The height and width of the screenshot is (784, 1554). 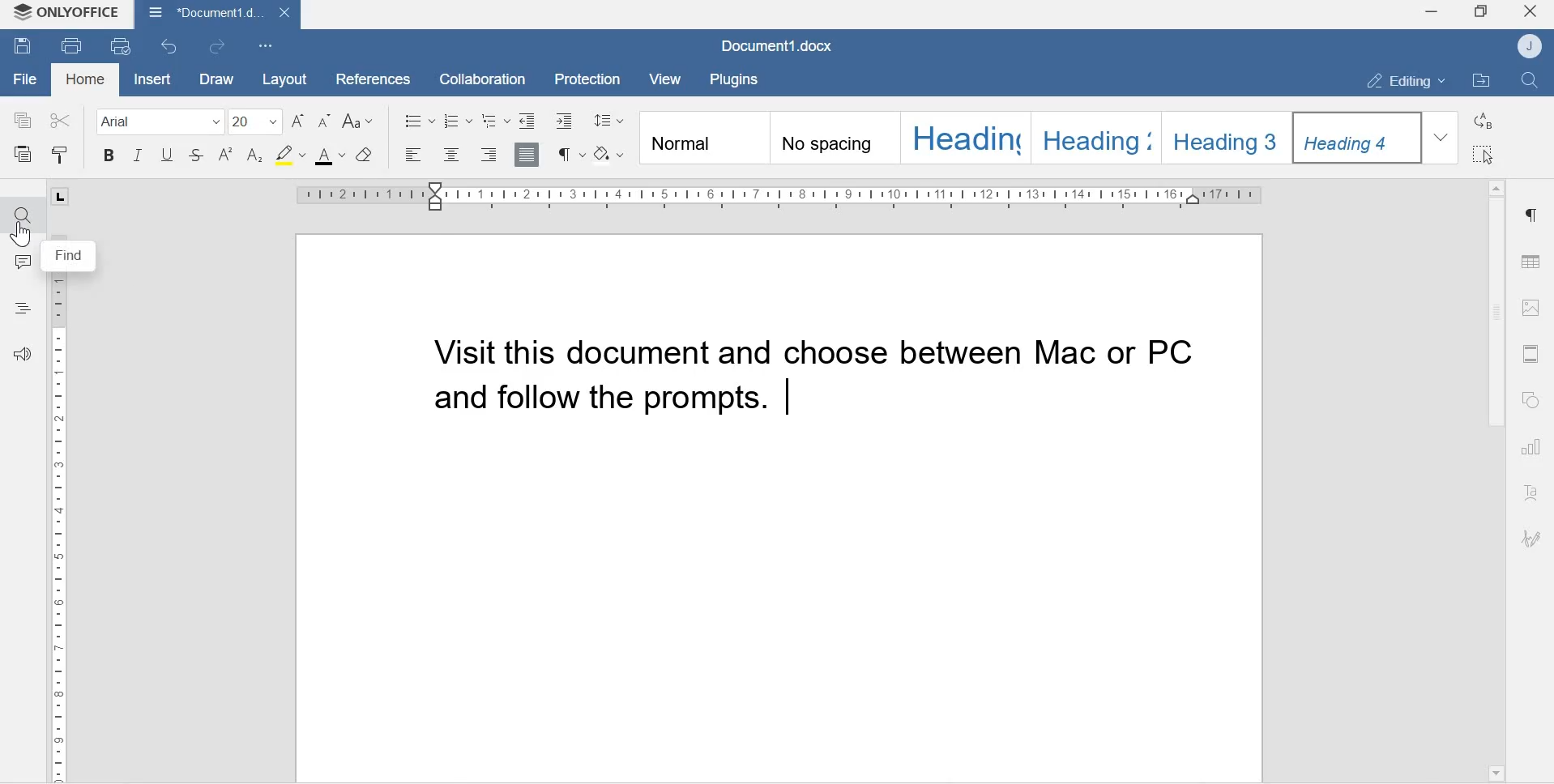 I want to click on tab stop marker, so click(x=65, y=195).